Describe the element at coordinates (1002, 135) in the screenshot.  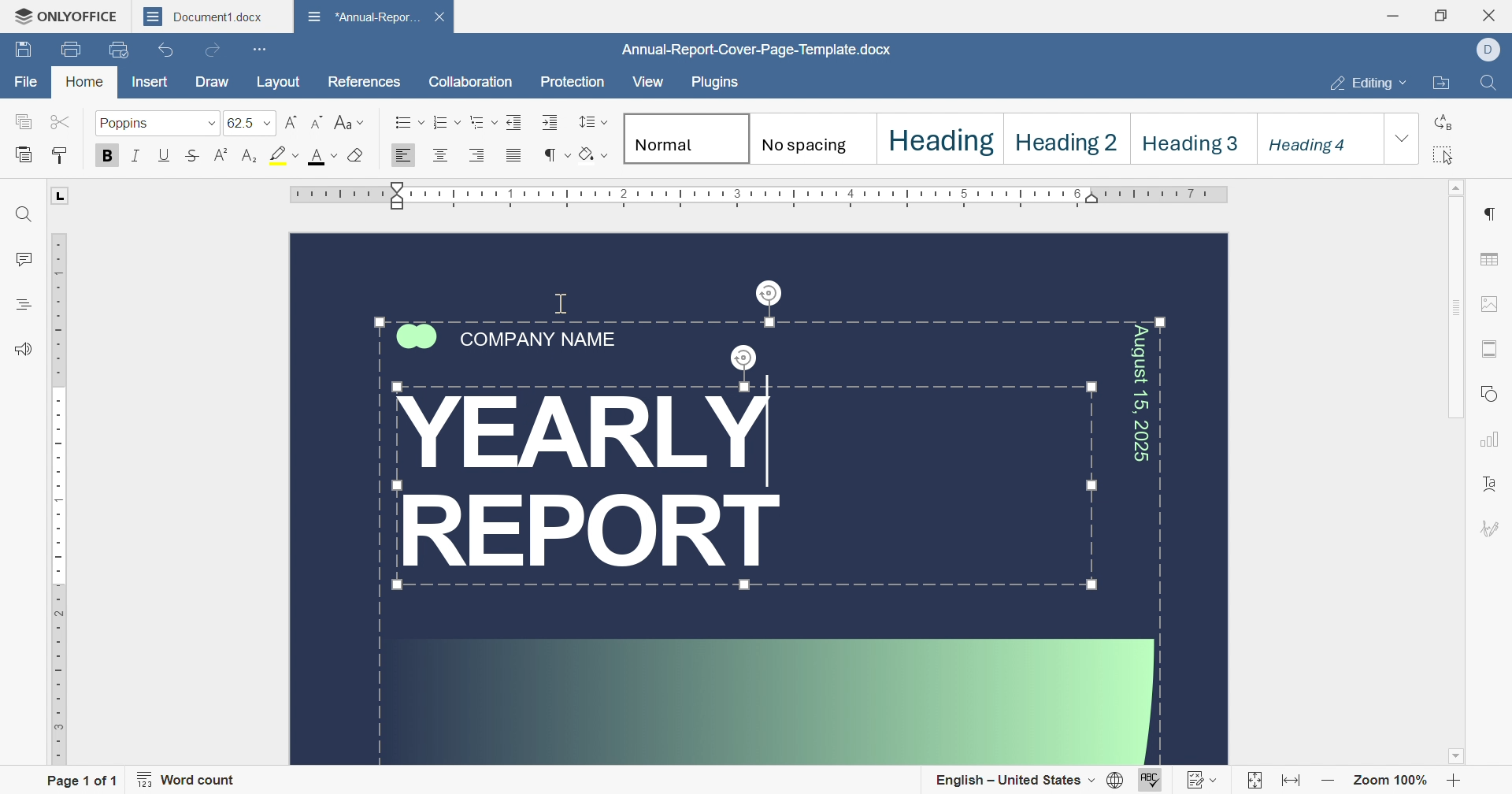
I see `types of heading` at that location.